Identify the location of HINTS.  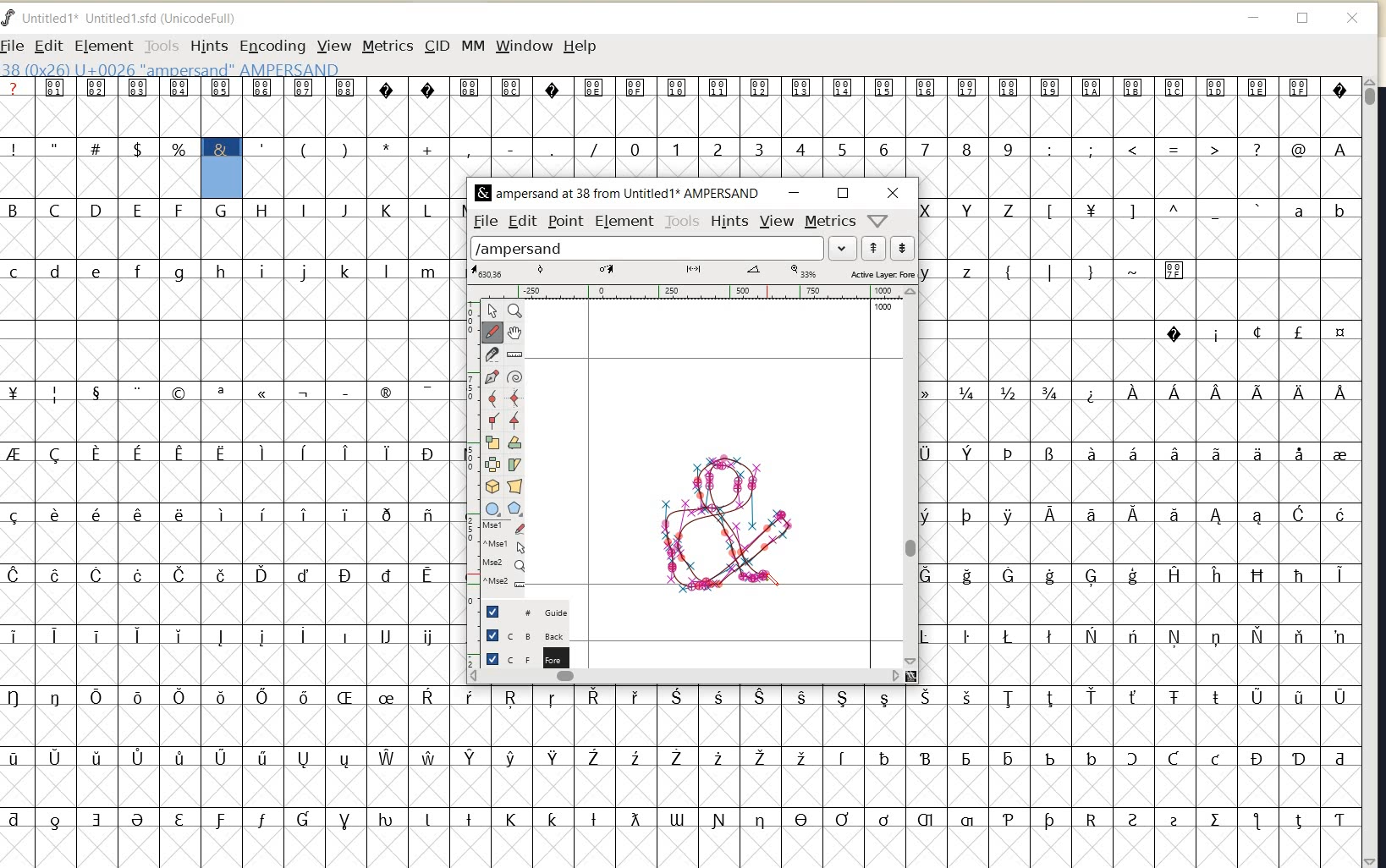
(730, 222).